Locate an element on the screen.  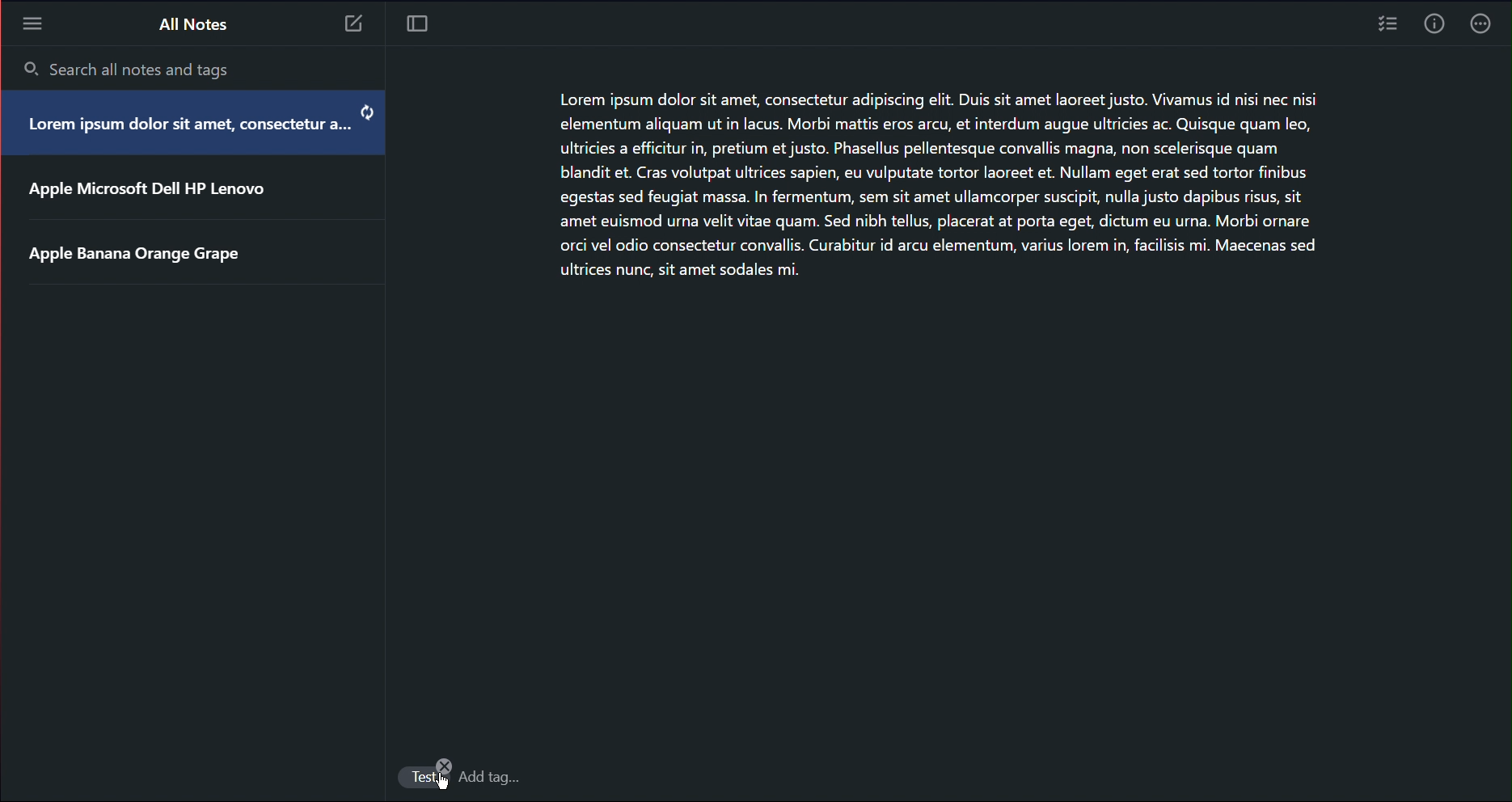
Lorem ipsum dolor sit amet, consectetur adipiscing elit. Duis sit amet laoreet justo. Vivamus id nisi nec nisi
elementum aliquam ut in lacus. Morbi mattis eros arcu, et interdum augue ultricies ac. Quisque quam leo,
ultricies a efficitur in, pretium et justo. Phasellus pellentesque convallis magna, non scelerisque quam
blandit et. Cras volutpat ultrices sapien, eu vulputate tortor laoreet et. Nullam eget erat sed tortor finibus
egestas sed feugiat massa. In fermentum, sem sit amet ullamcorper suscipit, nulla justo dapibus risus, sit
amet euismod urna velit vitae quam. Sed nibh tellus, placerat at porta eget, dictum eu urna. Morbi ornare
orci vel odio consectetur convallis. Curabitur id arcu elementum, varius lorem in, facilisis mi. Maecenas sed
ultrices nunc, sit amet sodales mi. is located at coordinates (977, 190).